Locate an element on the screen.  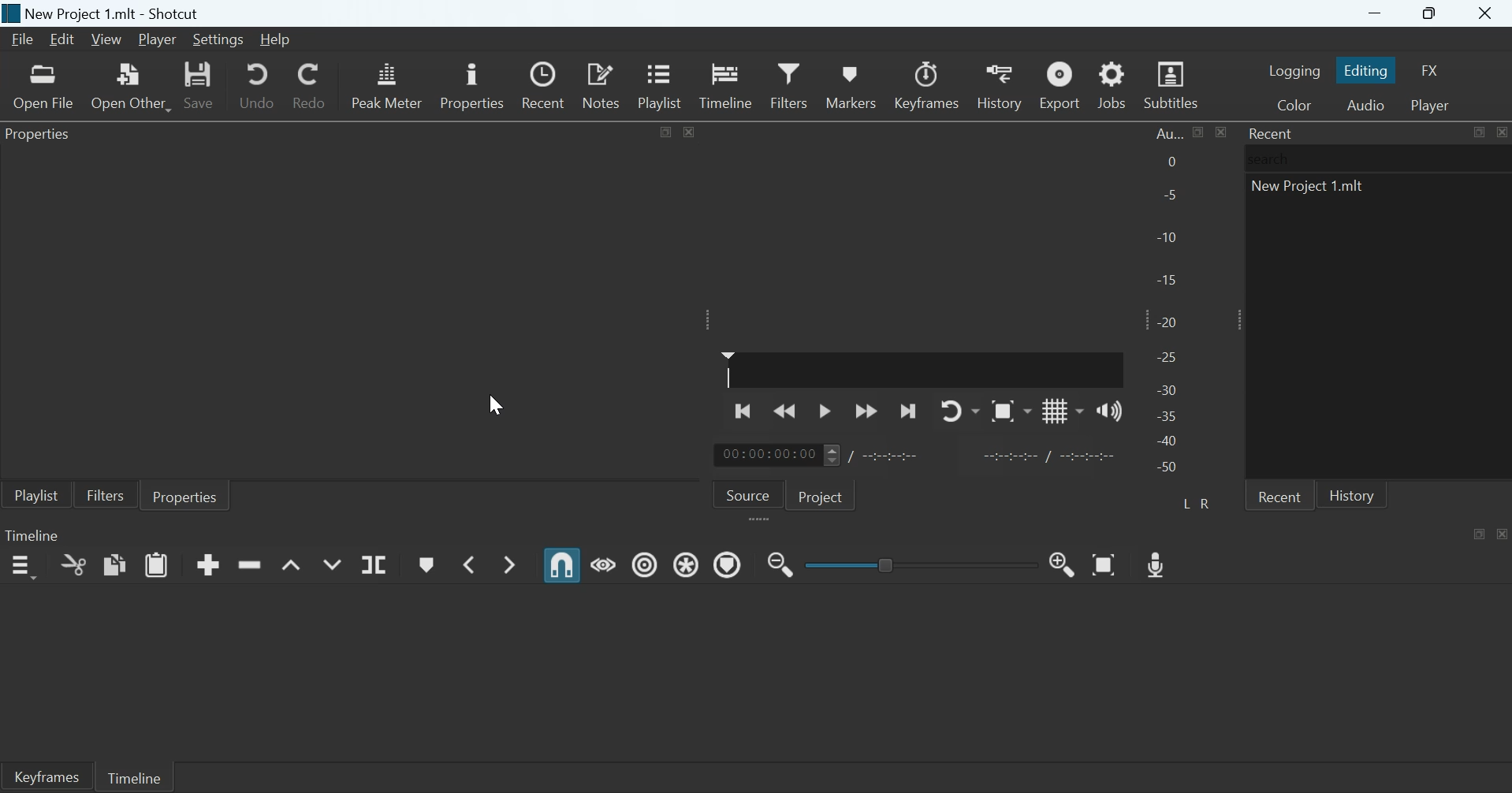
Ripple is located at coordinates (645, 564).